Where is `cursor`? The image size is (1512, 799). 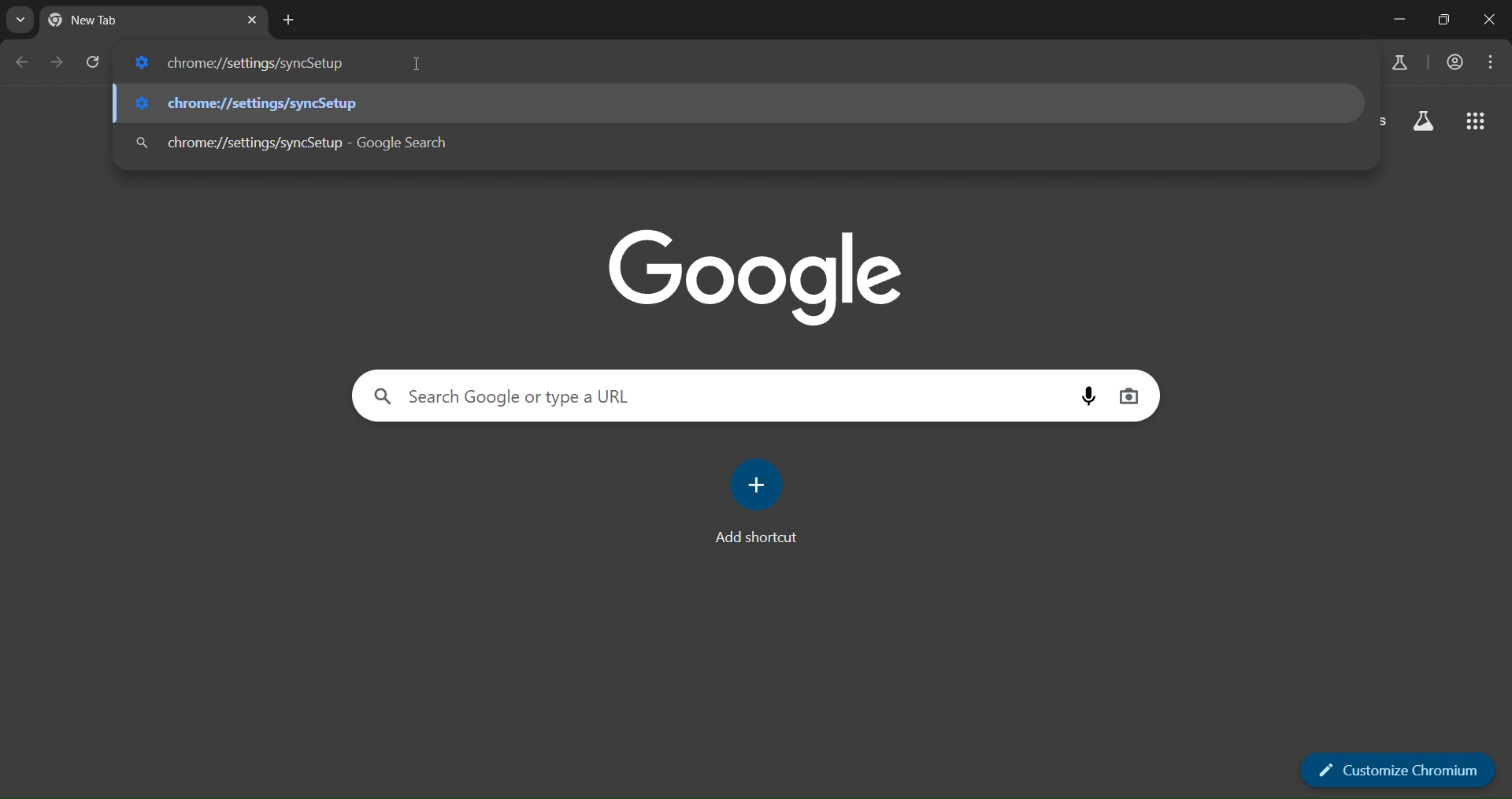 cursor is located at coordinates (417, 67).